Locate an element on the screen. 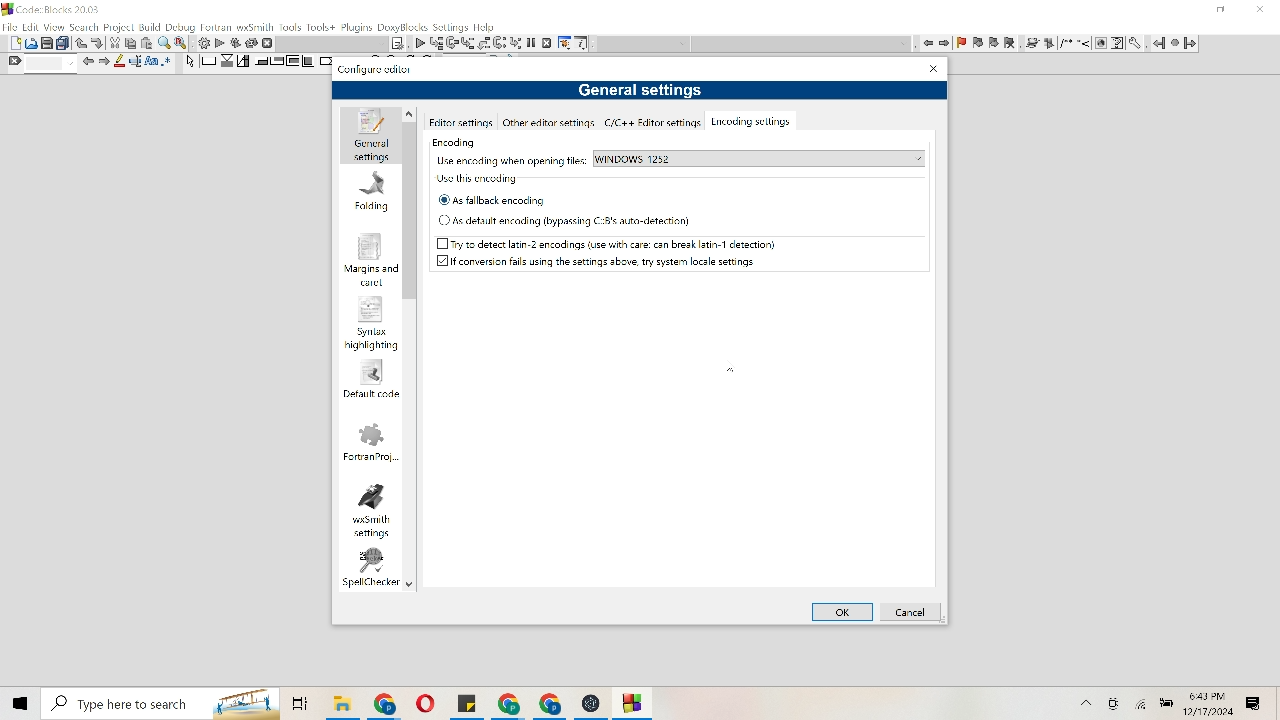 The image size is (1280, 720). Move down is located at coordinates (98, 43).